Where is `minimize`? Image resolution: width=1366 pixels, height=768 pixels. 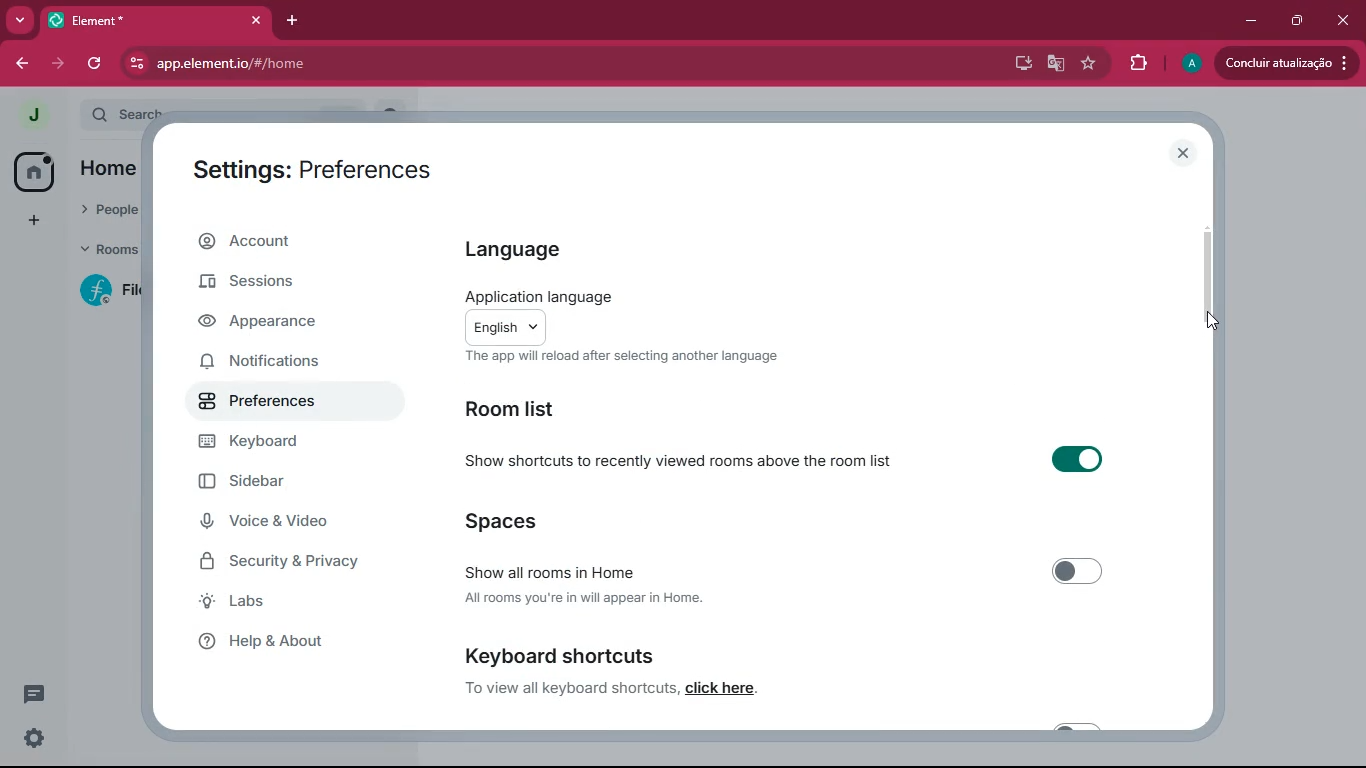 minimize is located at coordinates (1247, 21).